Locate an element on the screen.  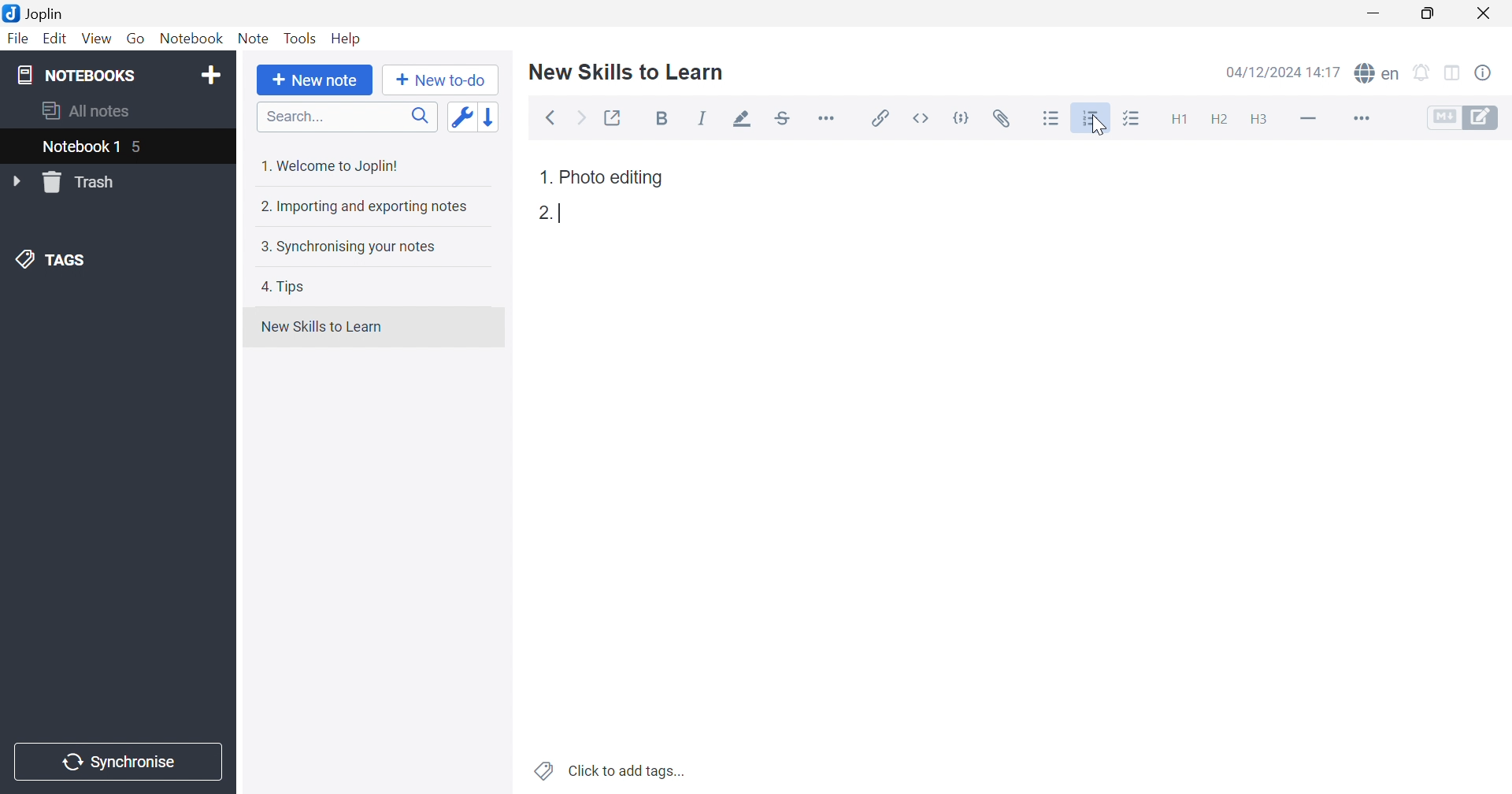
New note is located at coordinates (315, 80).